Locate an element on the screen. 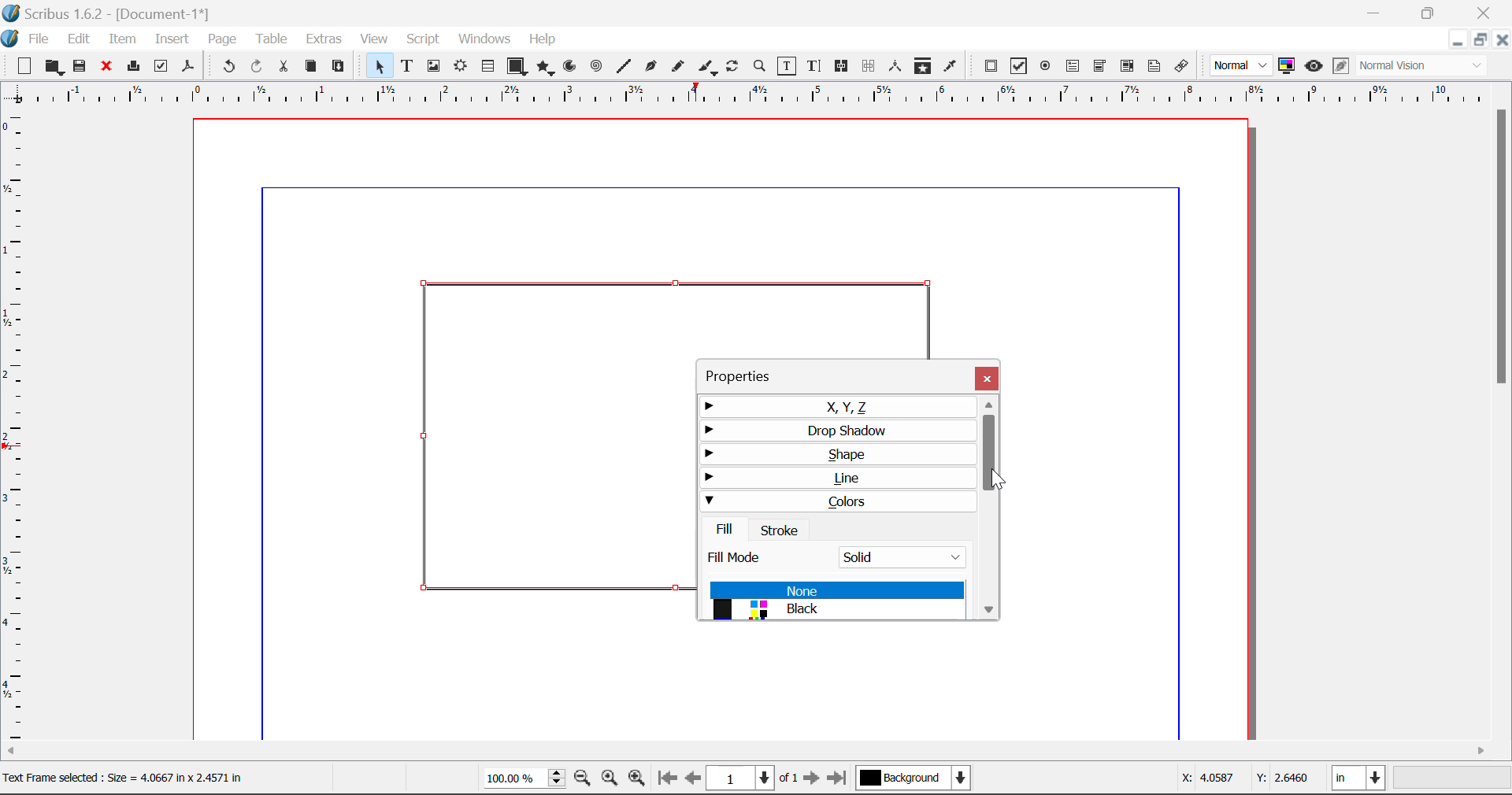 The height and width of the screenshot is (795, 1512). Redo is located at coordinates (260, 67).